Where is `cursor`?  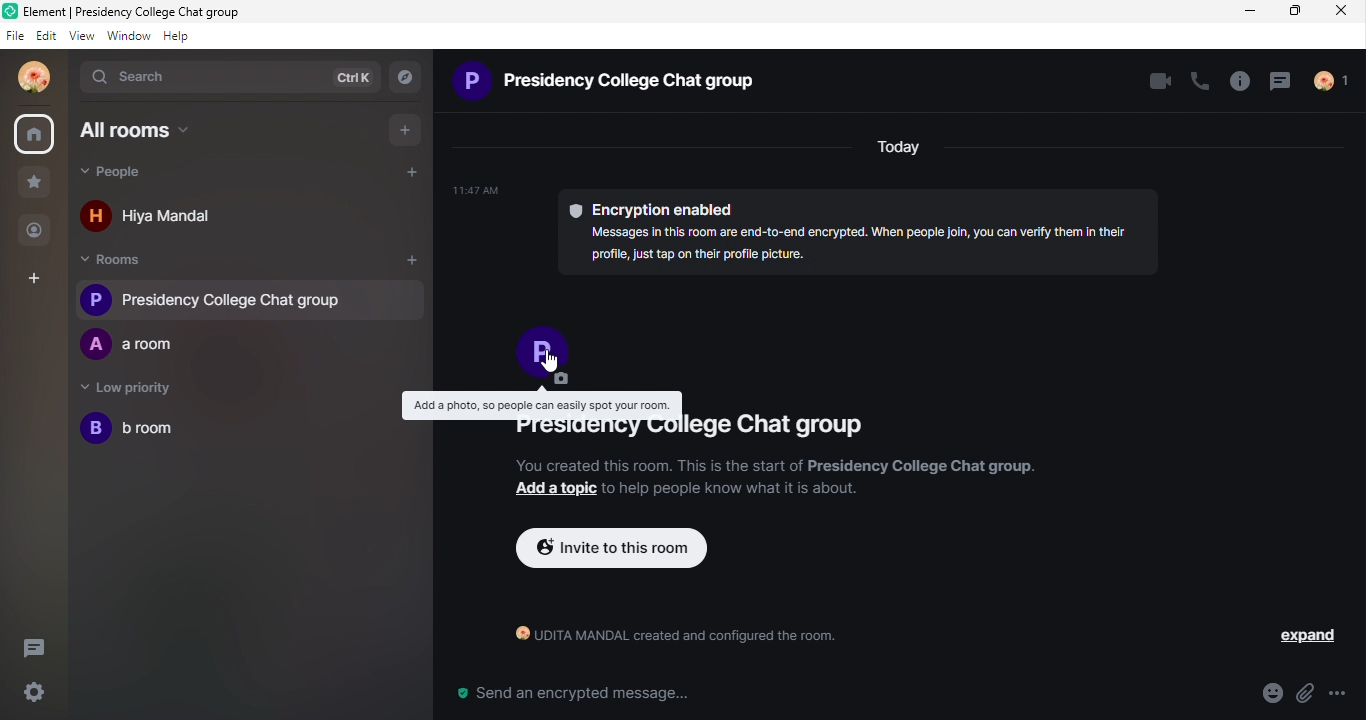
cursor is located at coordinates (34, 134).